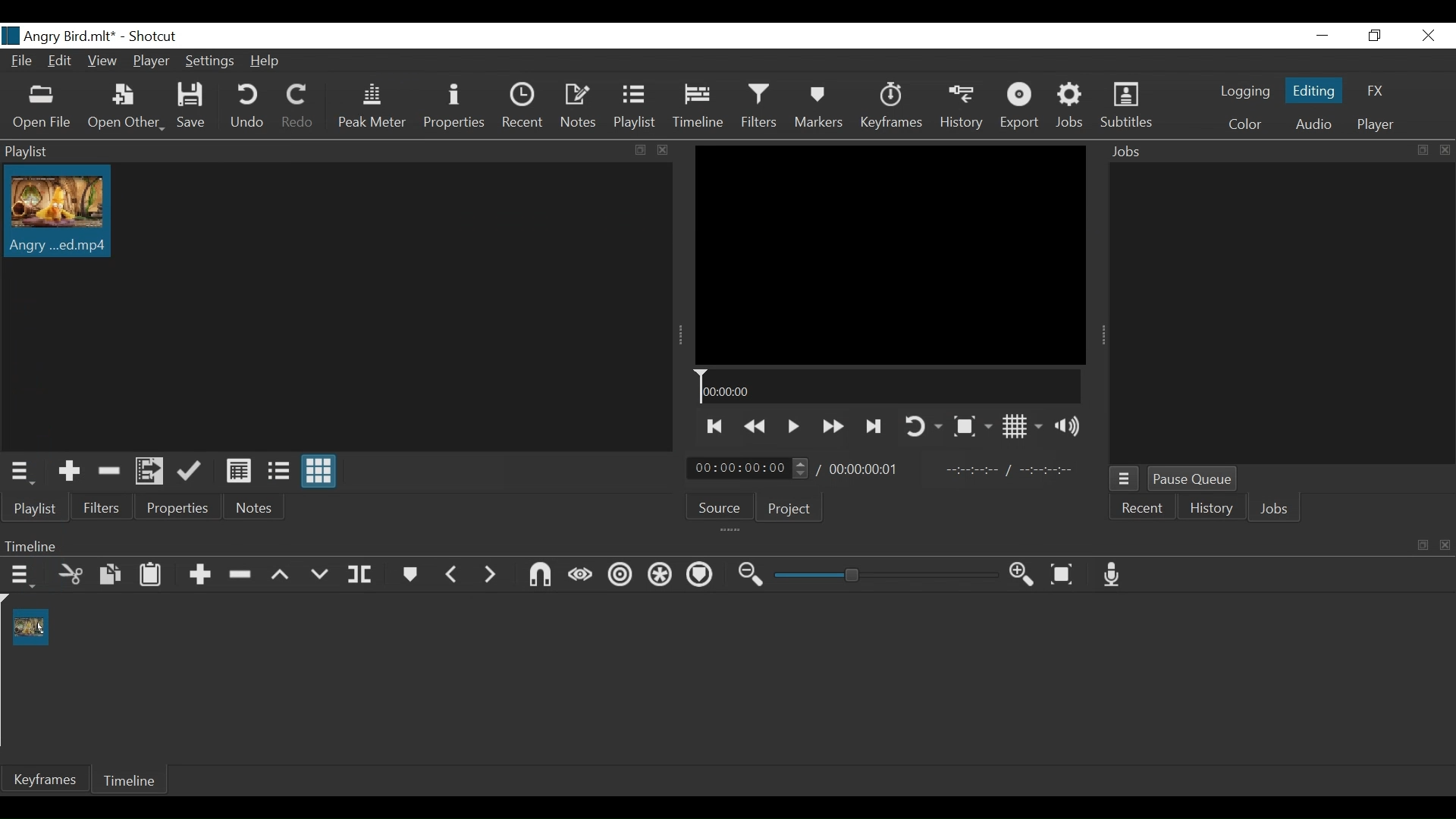 The width and height of the screenshot is (1456, 819). Describe the element at coordinates (1021, 106) in the screenshot. I see `Export` at that location.